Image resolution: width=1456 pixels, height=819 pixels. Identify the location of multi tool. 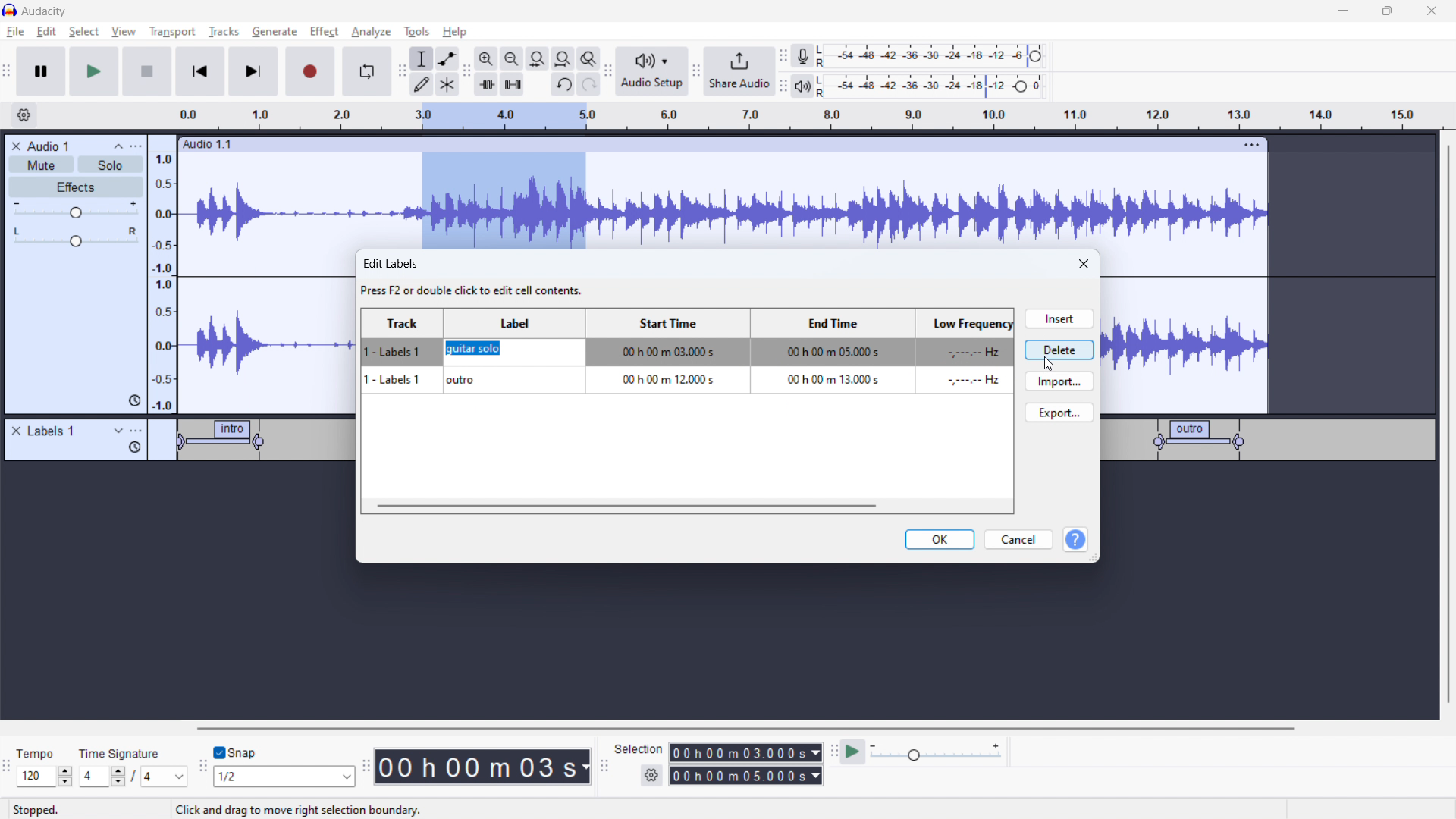
(448, 84).